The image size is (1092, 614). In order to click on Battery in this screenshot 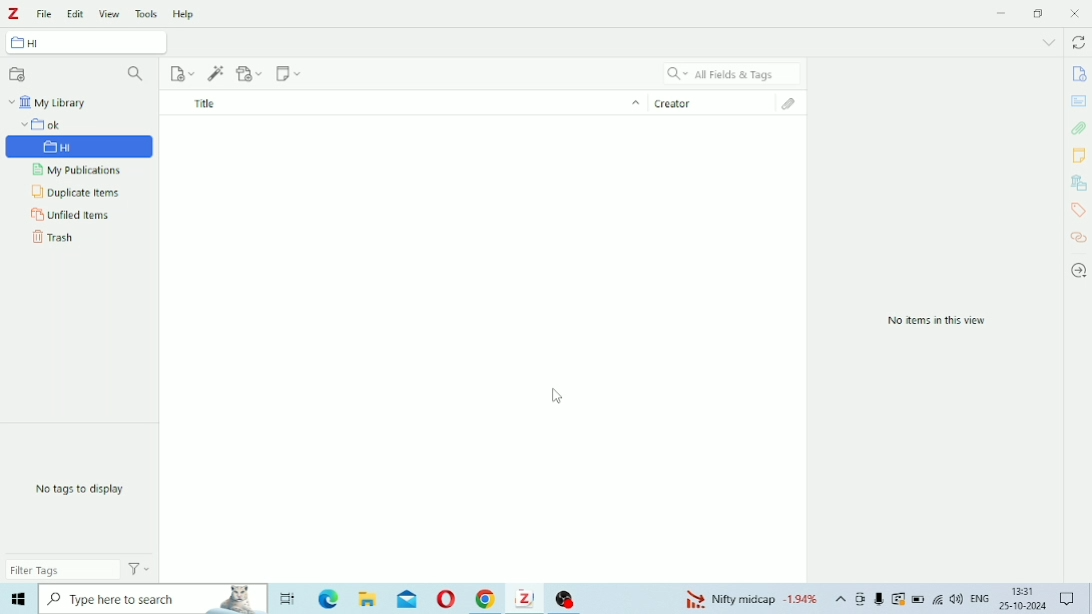, I will do `click(918, 599)`.